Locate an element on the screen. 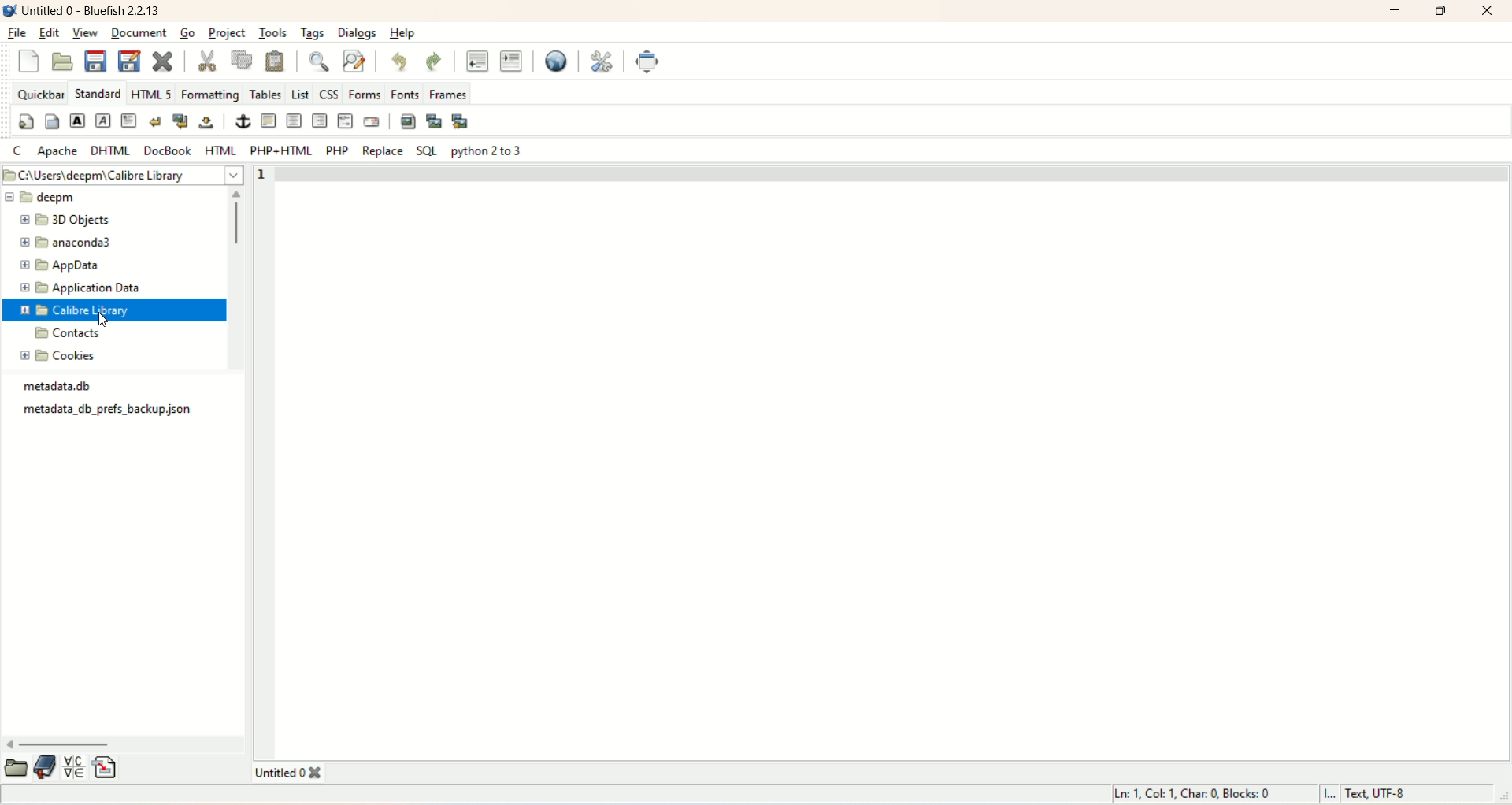 Image resolution: width=1512 pixels, height=805 pixels. minimize is located at coordinates (1396, 13).